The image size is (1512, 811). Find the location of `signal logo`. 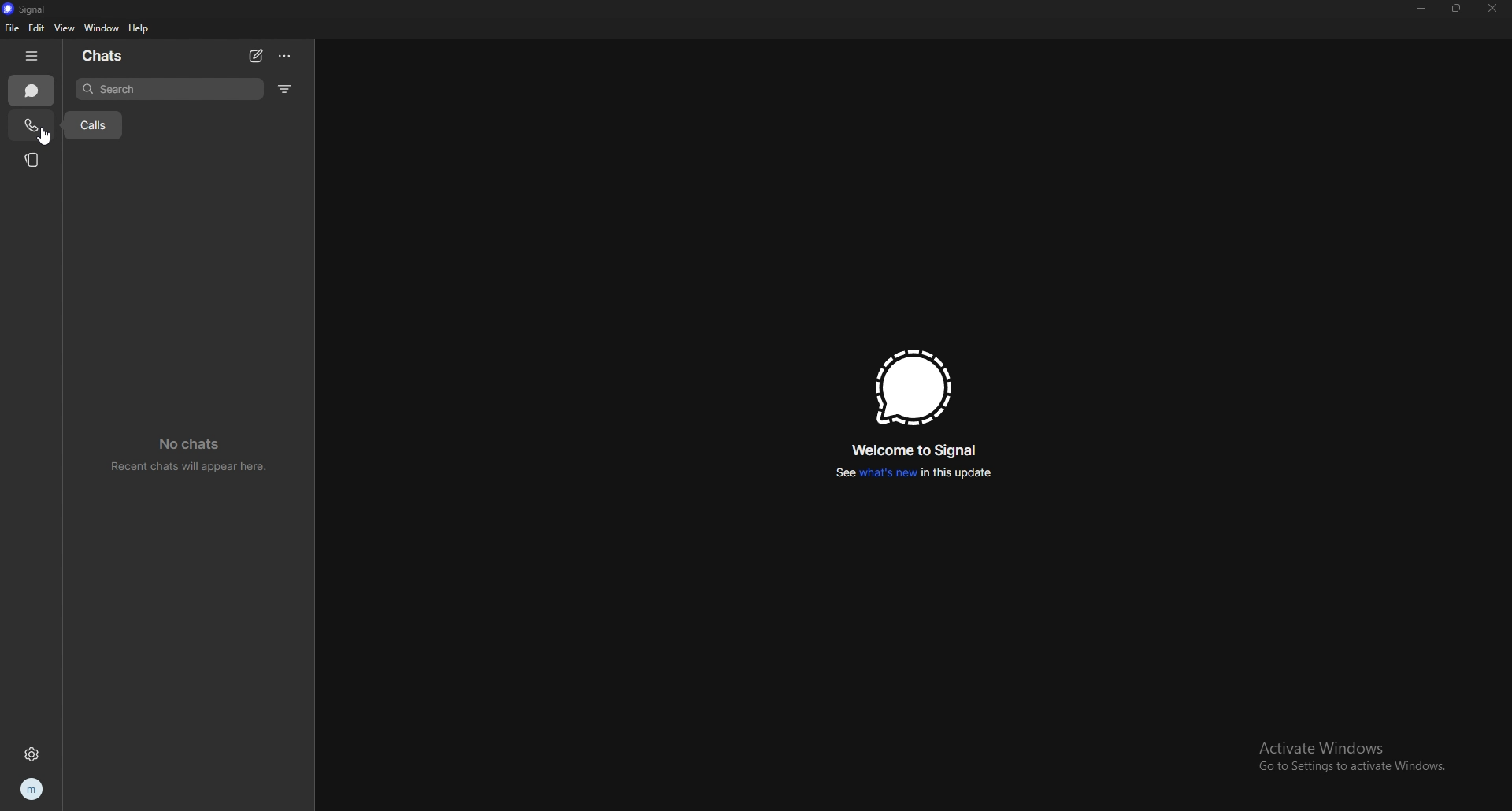

signal logo is located at coordinates (913, 387).